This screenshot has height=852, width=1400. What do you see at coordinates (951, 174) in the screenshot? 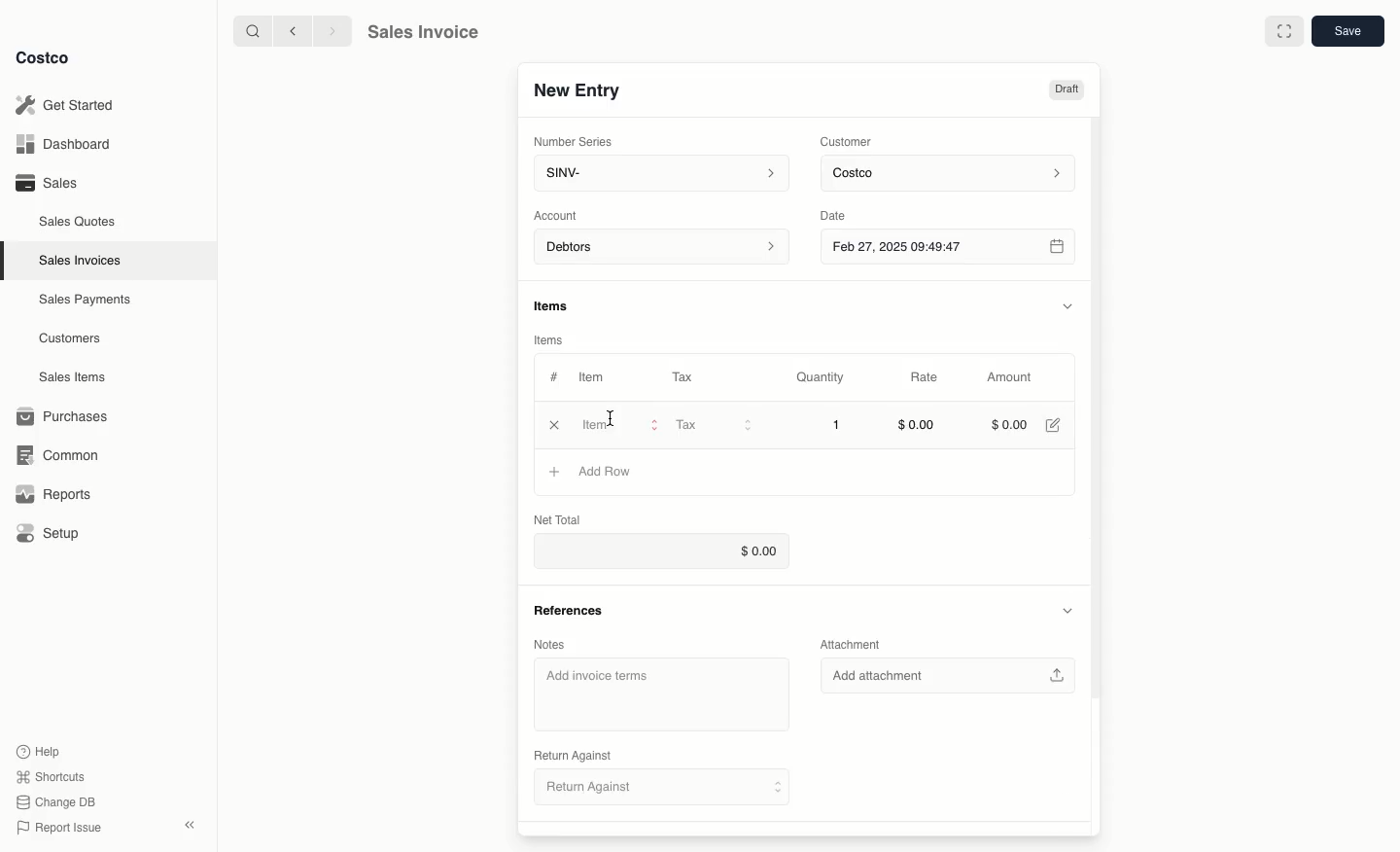
I see `Costco` at bounding box center [951, 174].